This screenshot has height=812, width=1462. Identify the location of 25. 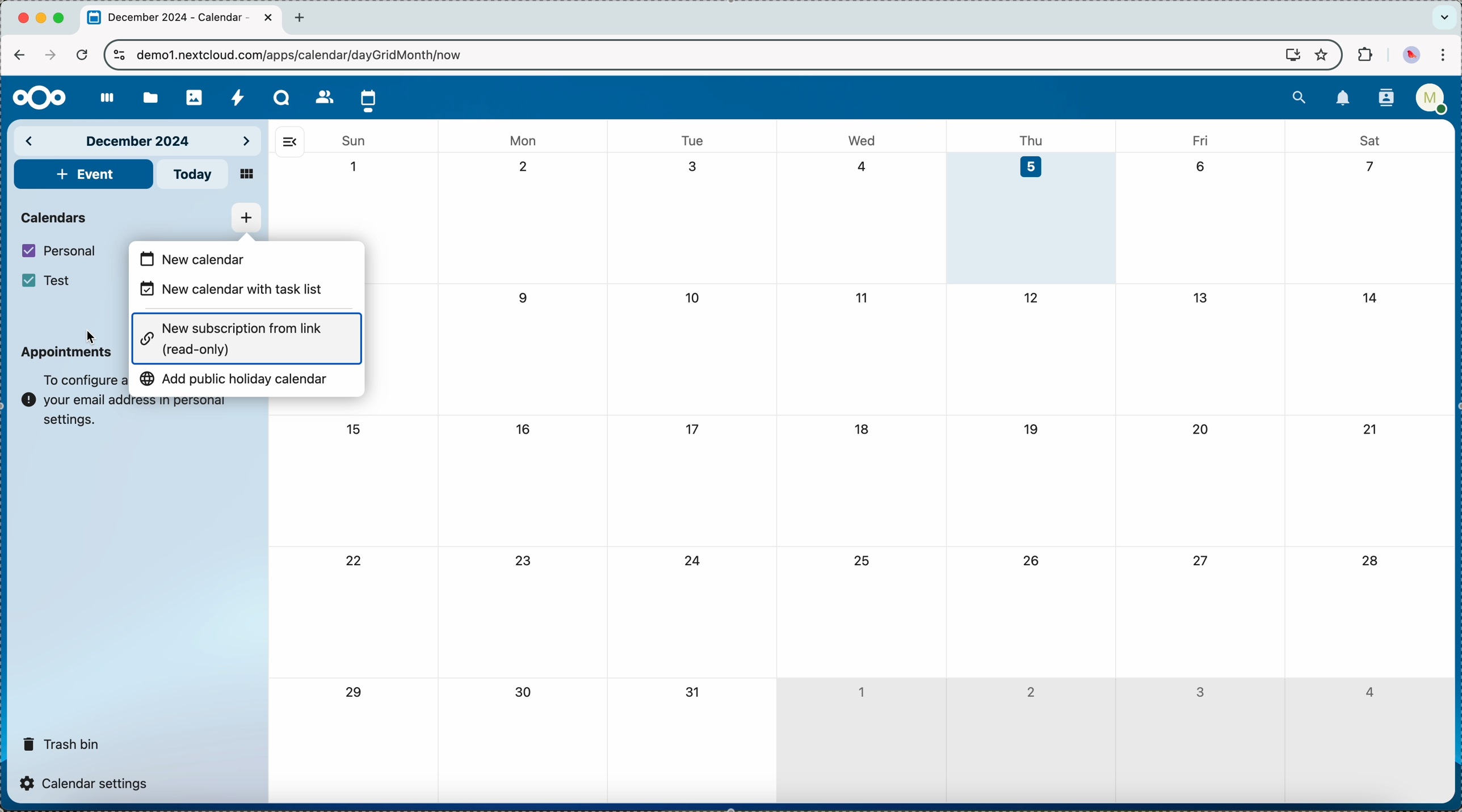
(860, 560).